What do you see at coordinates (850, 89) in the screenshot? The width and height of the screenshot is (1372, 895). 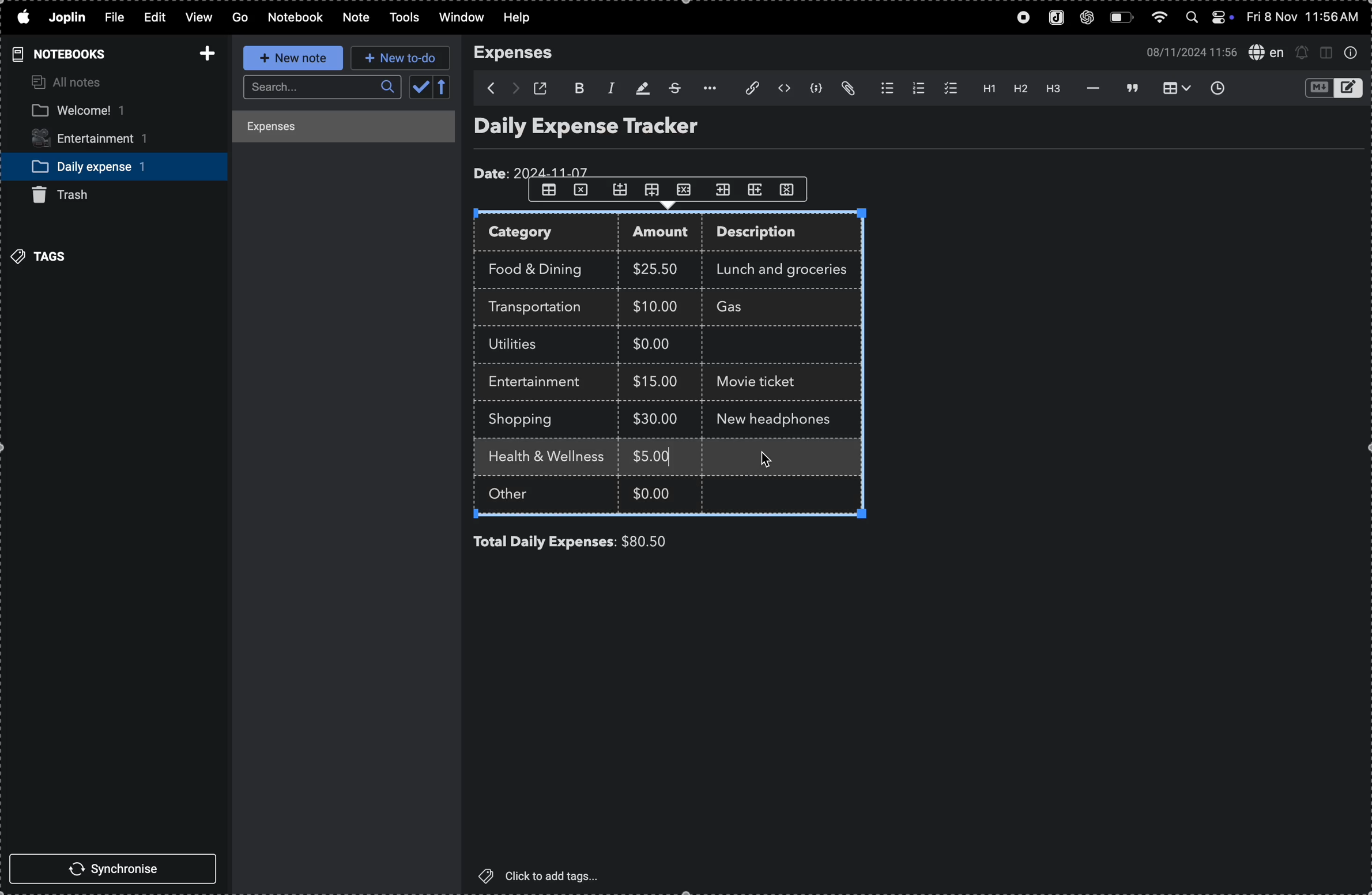 I see `attach file` at bounding box center [850, 89].